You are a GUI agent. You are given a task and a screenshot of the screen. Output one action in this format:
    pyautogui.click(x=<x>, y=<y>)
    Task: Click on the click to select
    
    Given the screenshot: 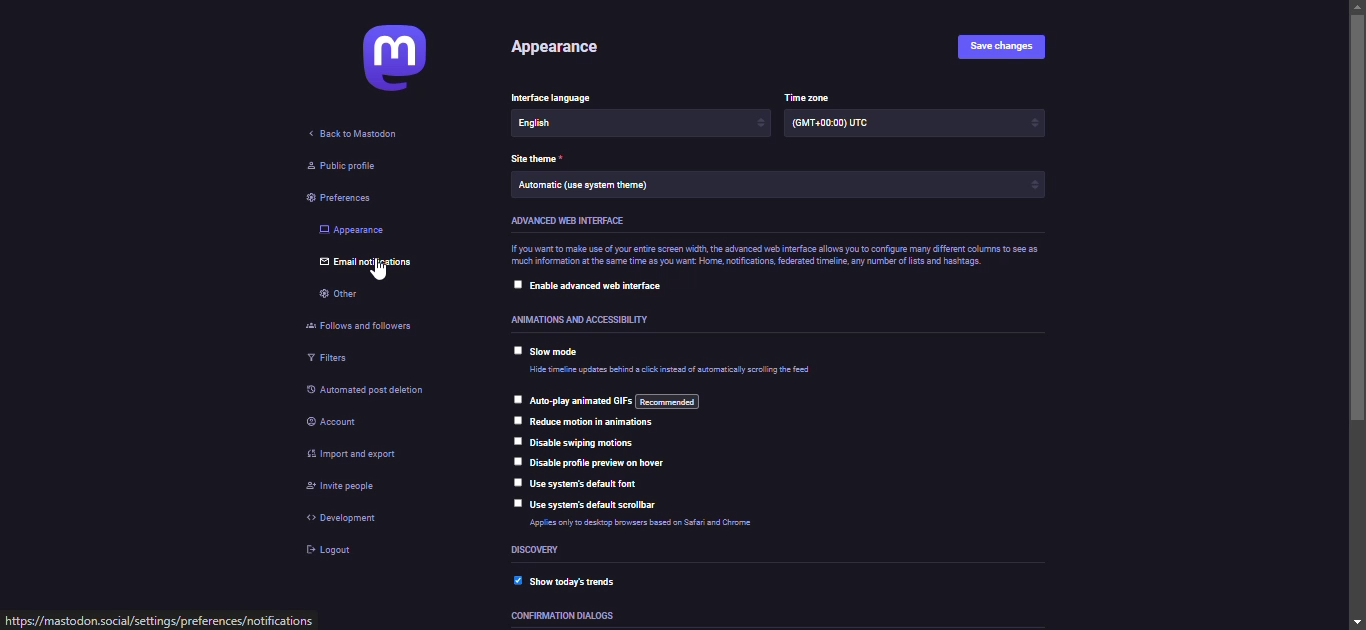 What is the action you would take?
    pyautogui.click(x=514, y=351)
    